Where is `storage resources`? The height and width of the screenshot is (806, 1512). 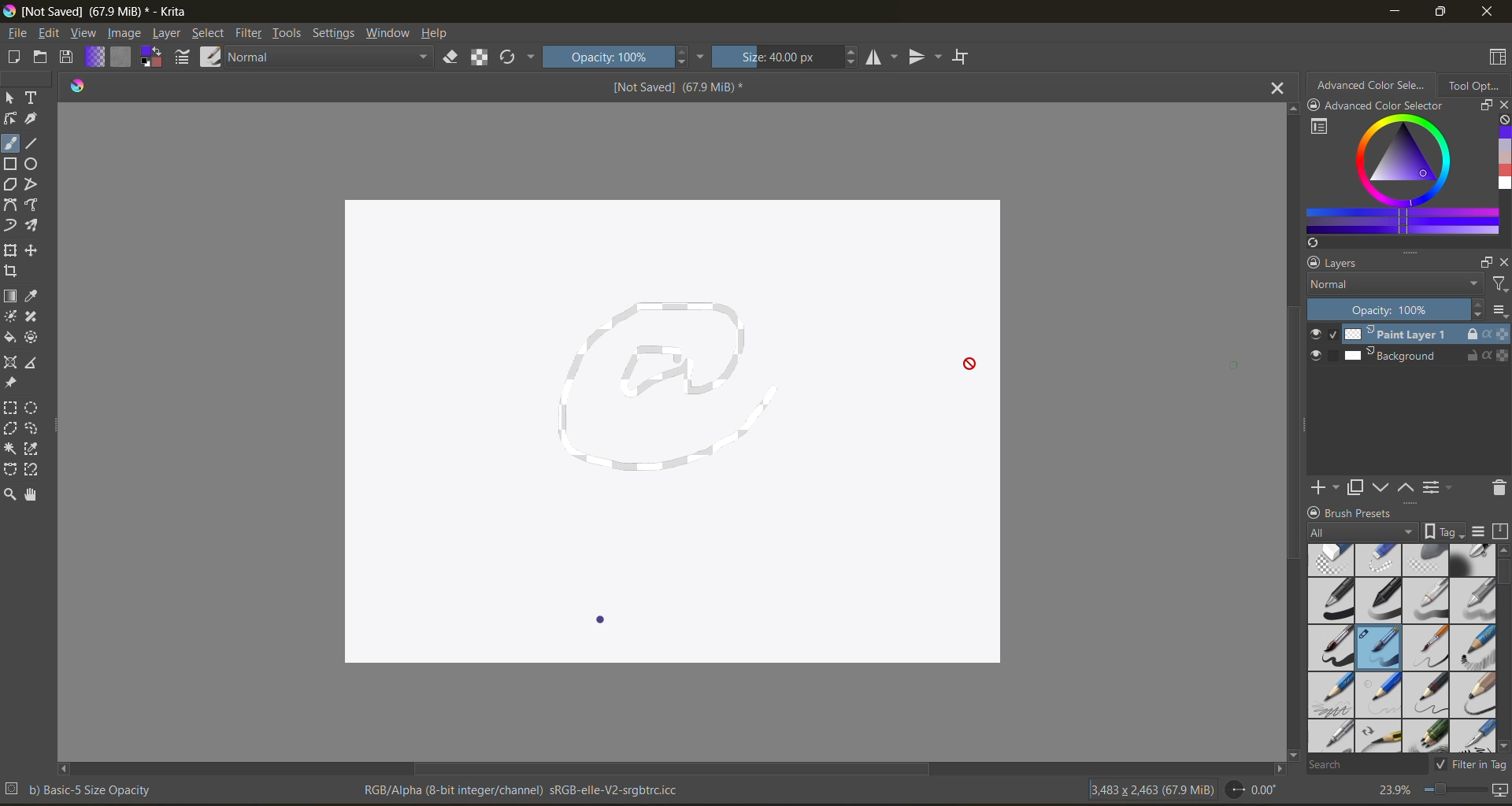
storage resources is located at coordinates (1501, 531).